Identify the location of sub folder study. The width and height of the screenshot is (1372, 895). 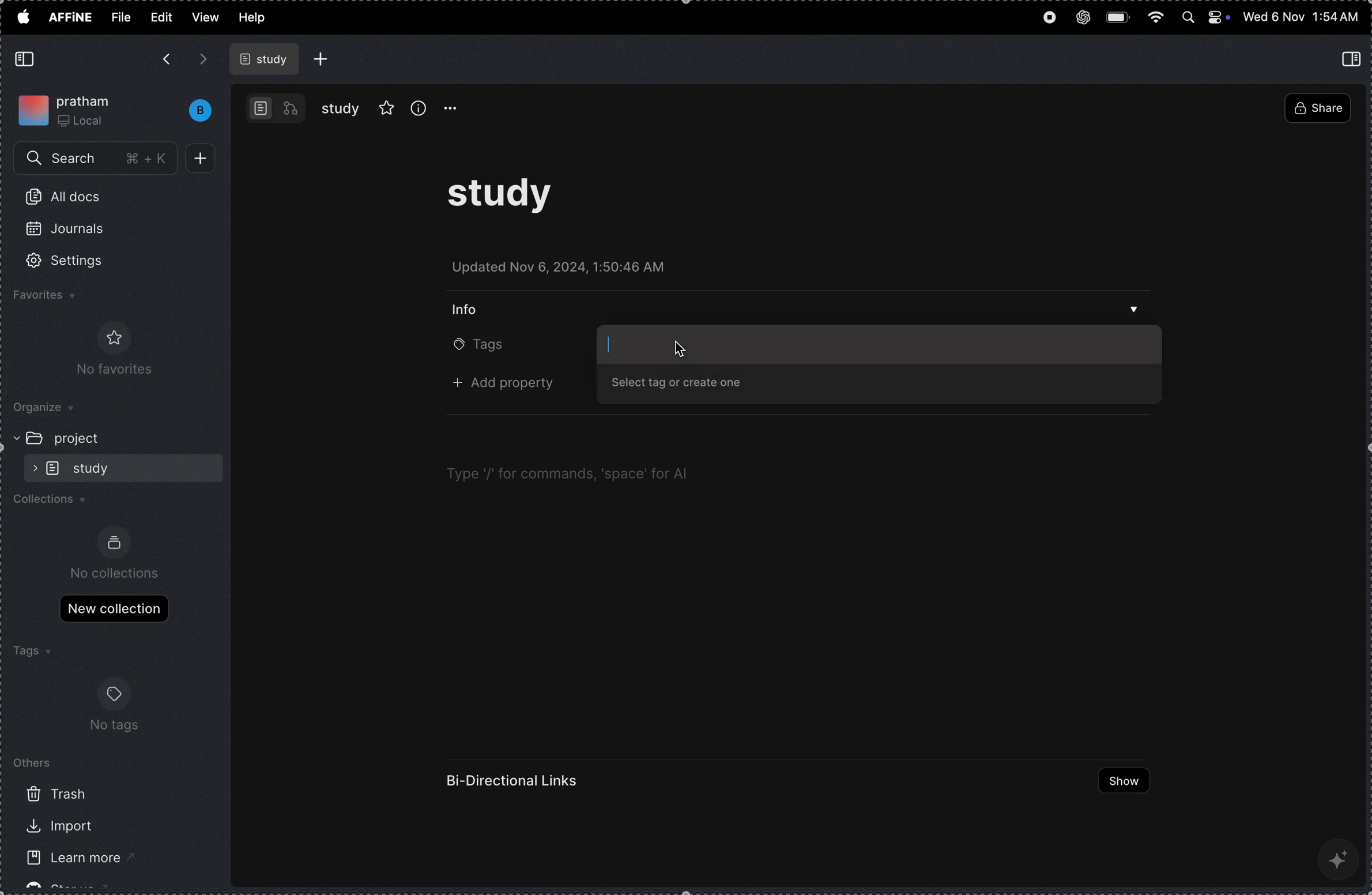
(95, 467).